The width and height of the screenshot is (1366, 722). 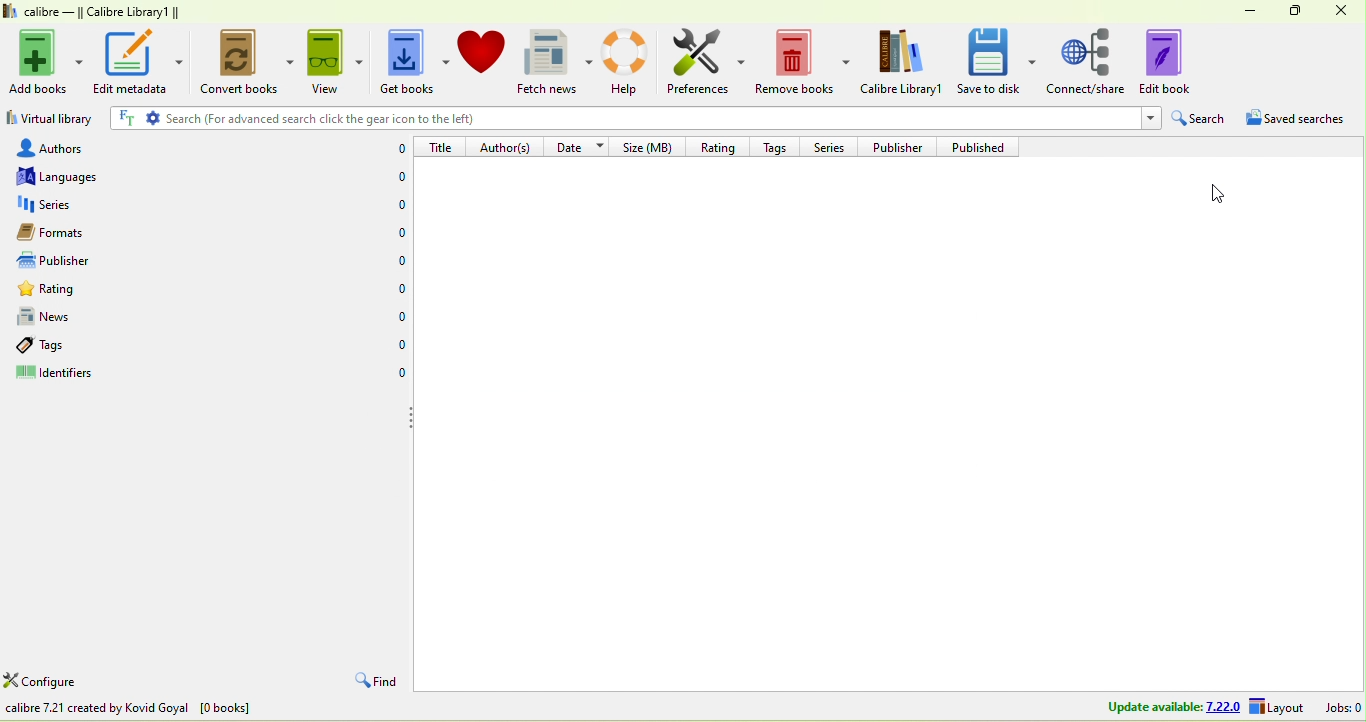 What do you see at coordinates (333, 61) in the screenshot?
I see `view` at bounding box center [333, 61].